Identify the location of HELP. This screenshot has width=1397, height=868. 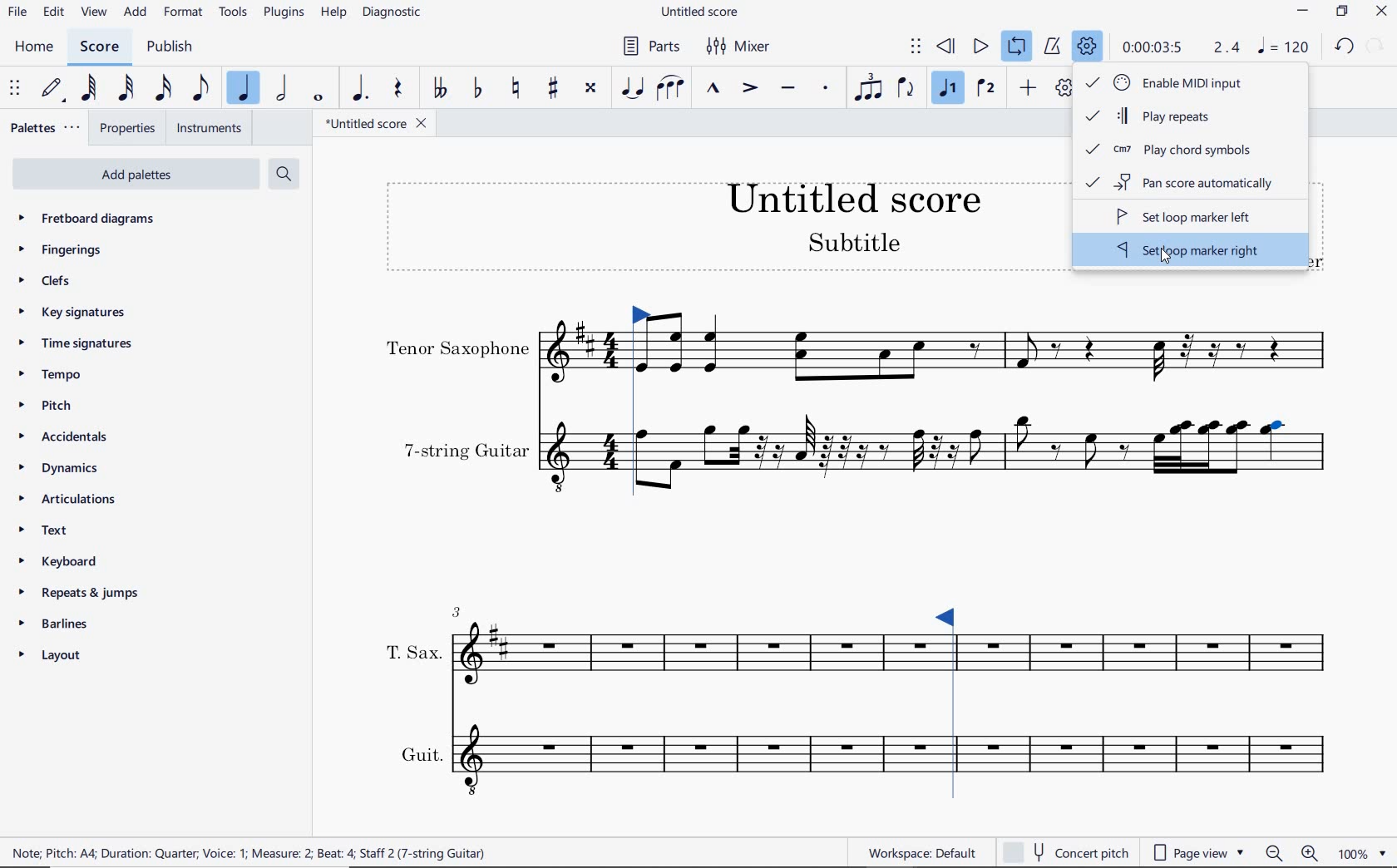
(332, 13).